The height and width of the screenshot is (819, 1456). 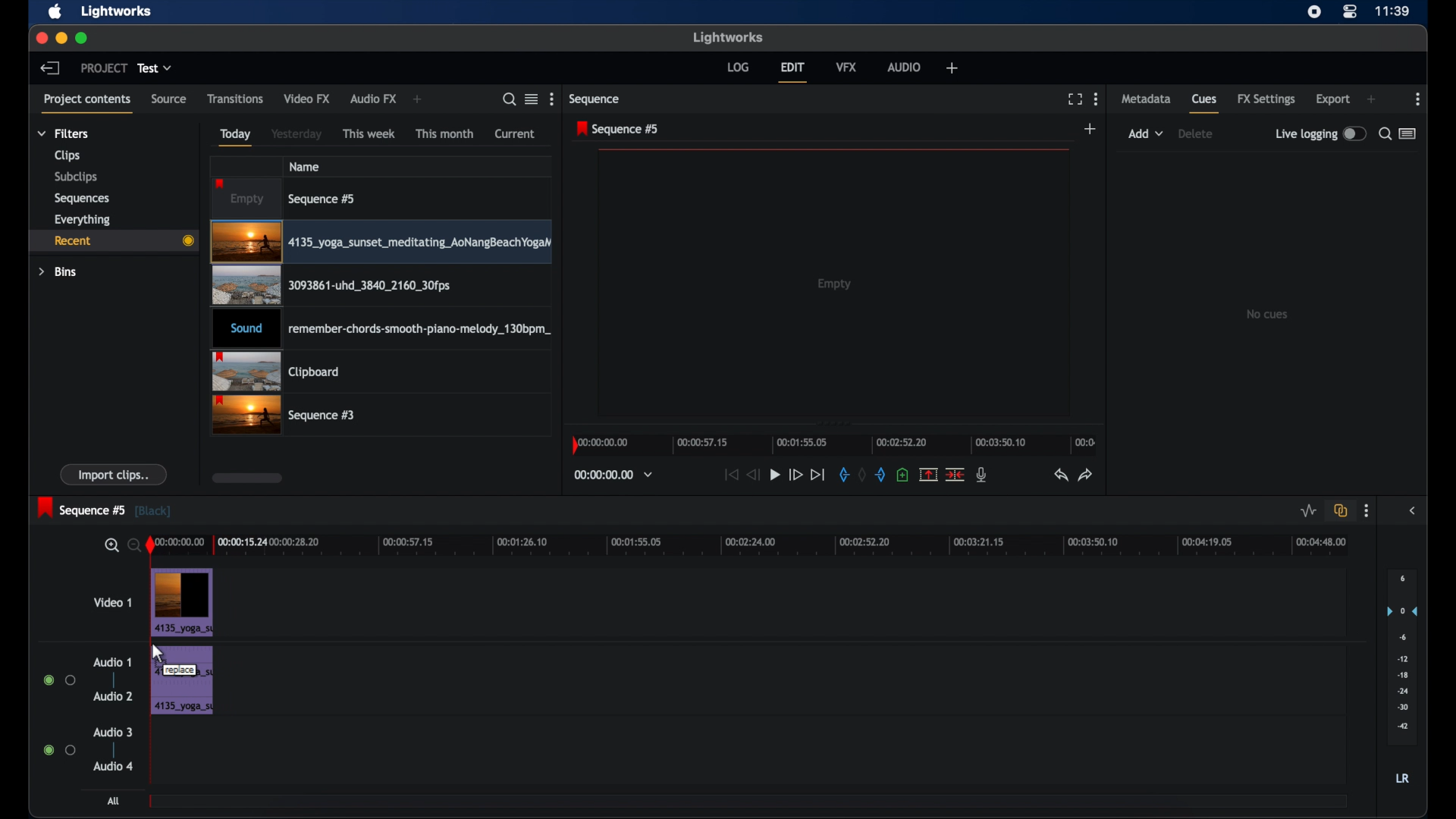 I want to click on video clip, so click(x=381, y=243).